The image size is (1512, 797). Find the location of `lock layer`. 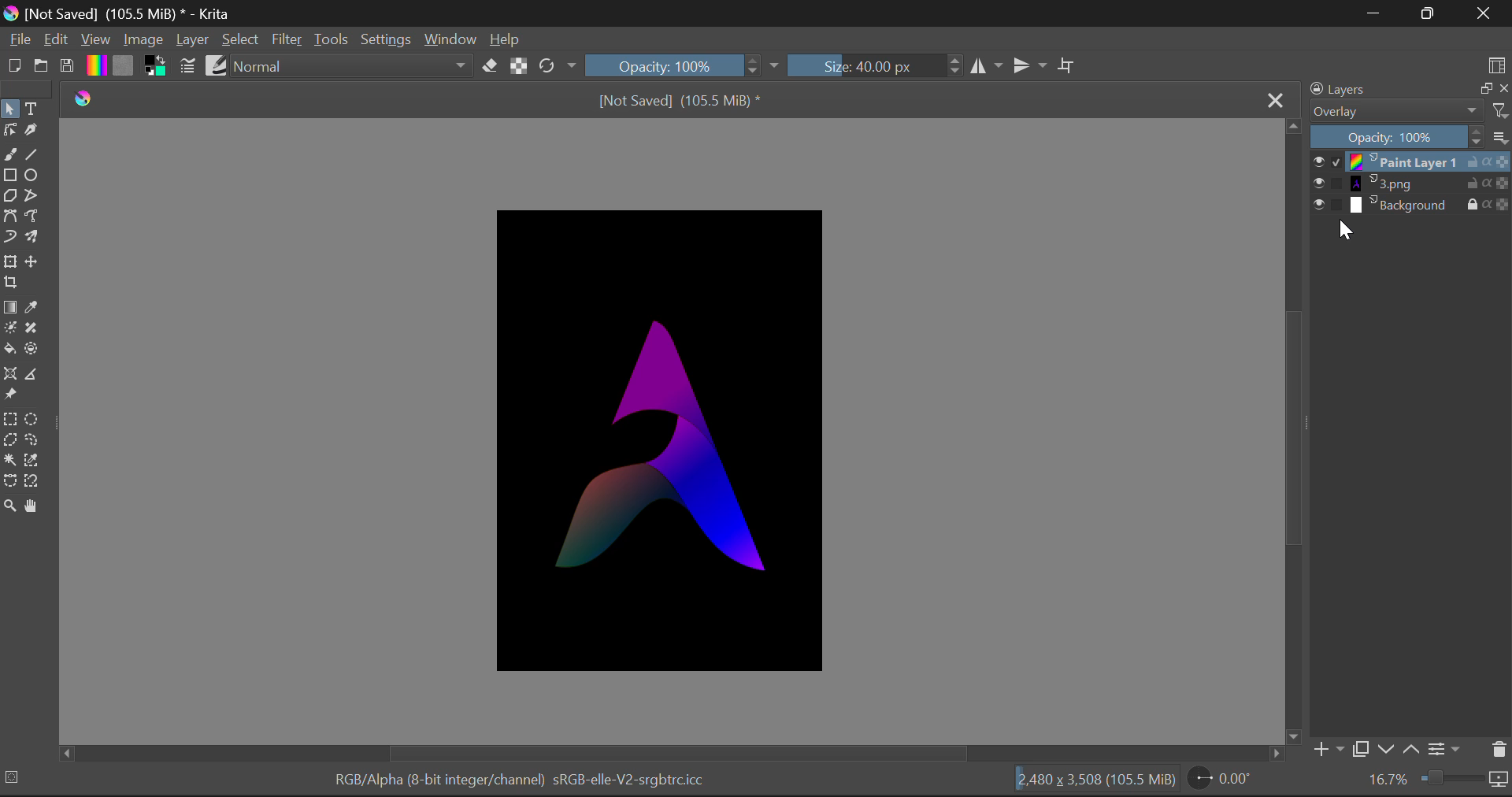

lock layer is located at coordinates (1478, 183).